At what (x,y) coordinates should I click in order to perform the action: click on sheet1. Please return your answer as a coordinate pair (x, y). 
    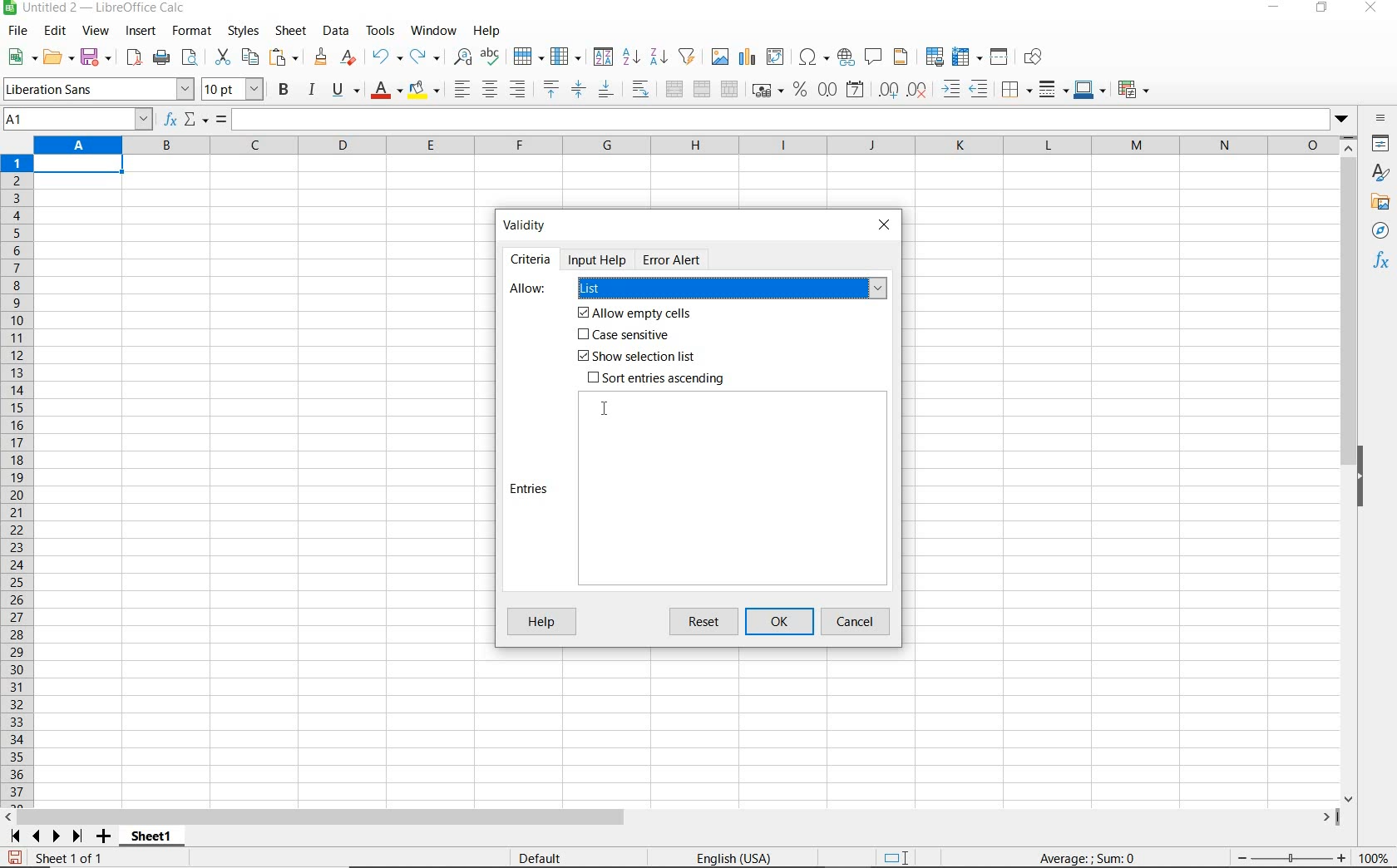
    Looking at the image, I should click on (151, 839).